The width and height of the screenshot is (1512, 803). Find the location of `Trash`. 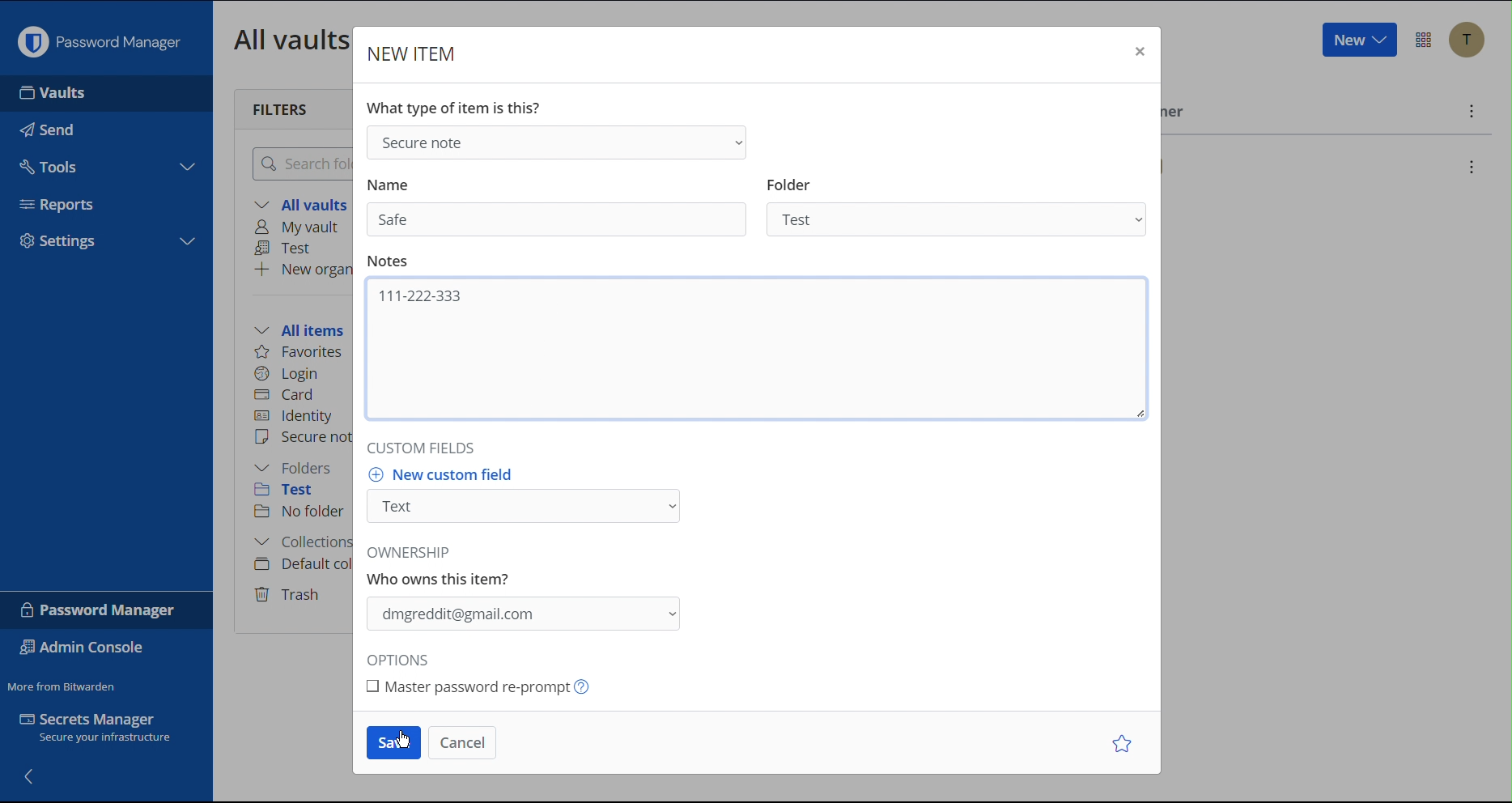

Trash is located at coordinates (290, 592).